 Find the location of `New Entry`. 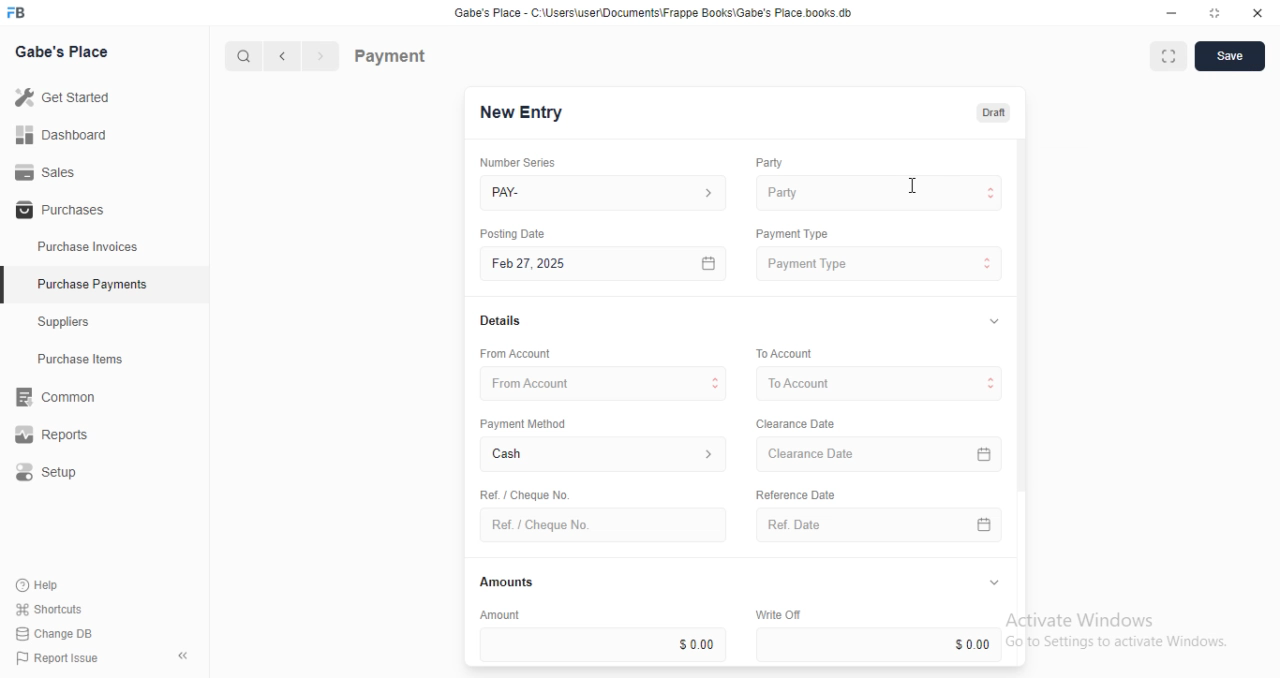

New Entry is located at coordinates (522, 113).